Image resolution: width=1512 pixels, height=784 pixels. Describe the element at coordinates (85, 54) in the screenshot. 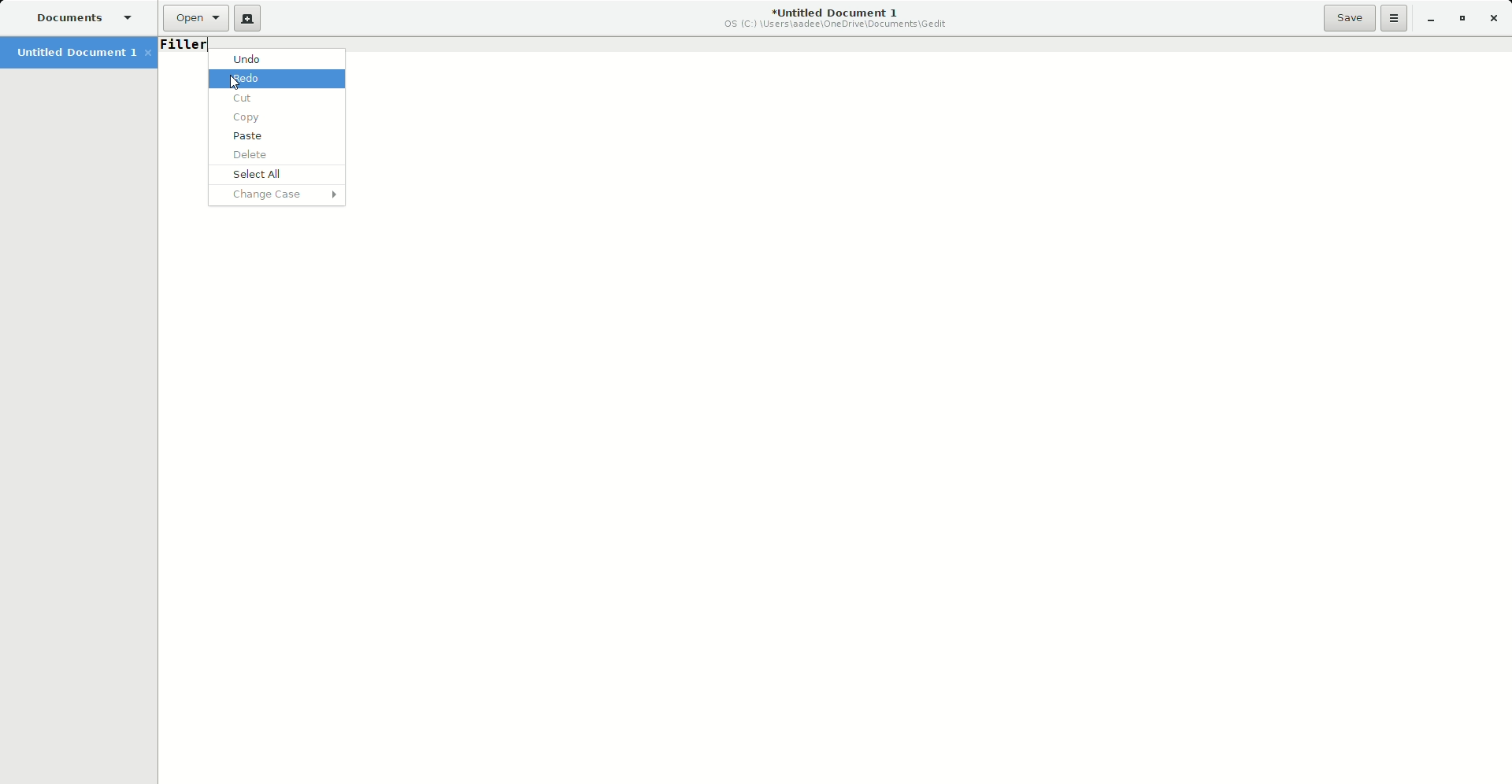

I see `Untitled Document 1` at that location.